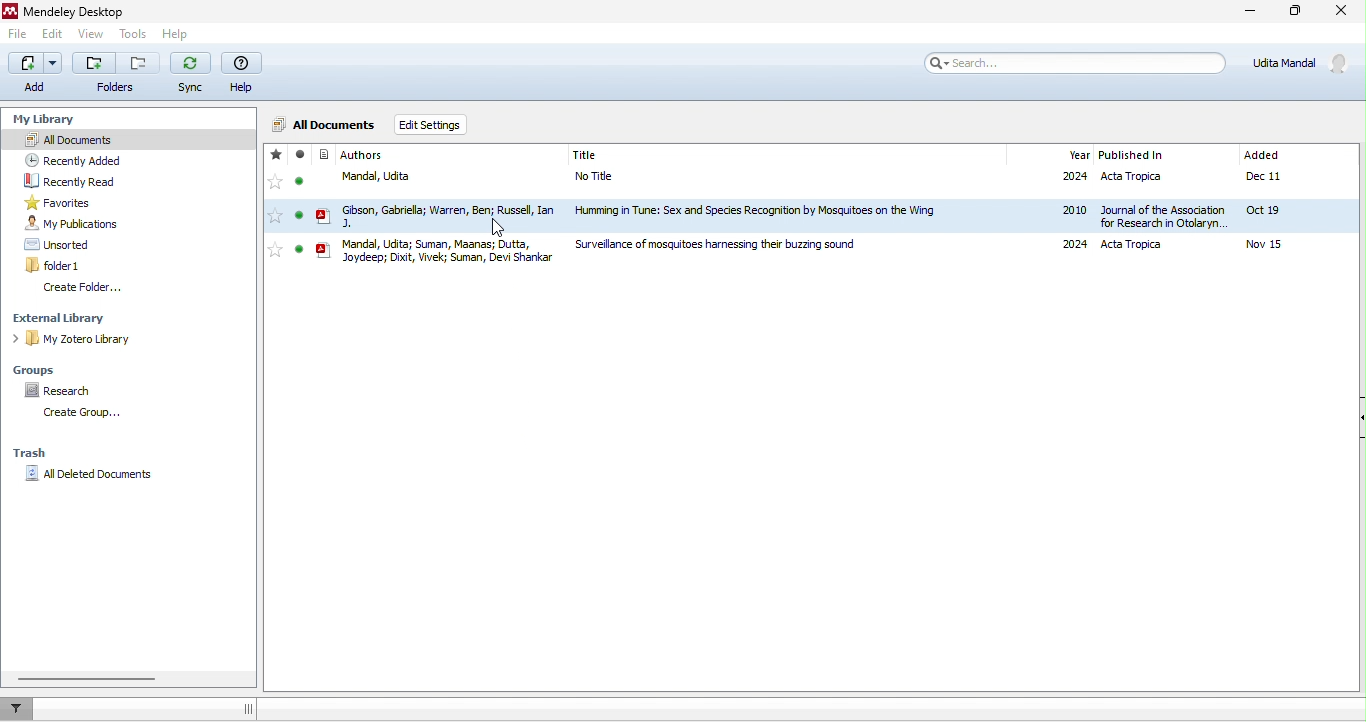 This screenshot has height=722, width=1366. What do you see at coordinates (88, 226) in the screenshot?
I see `my publications` at bounding box center [88, 226].